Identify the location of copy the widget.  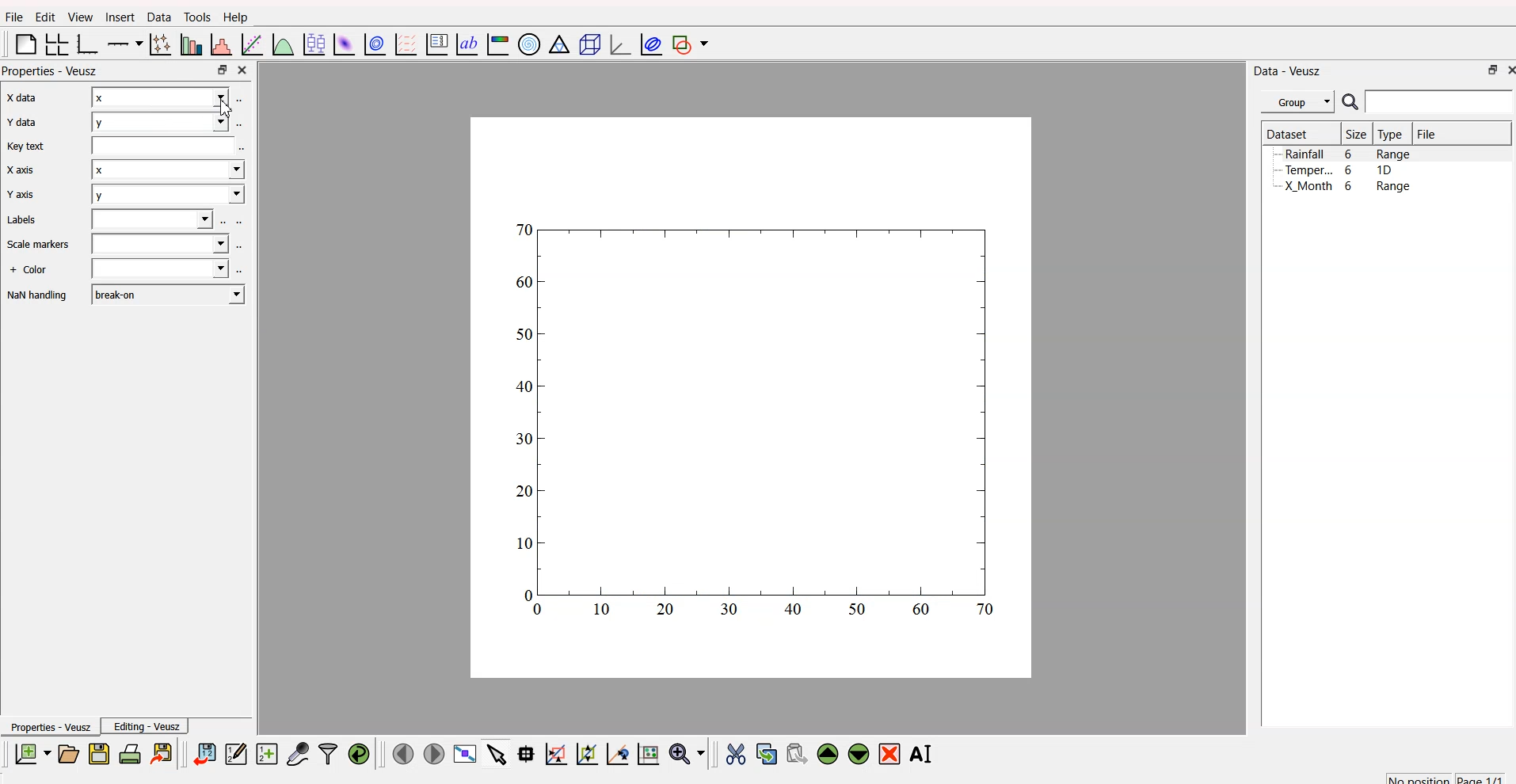
(766, 752).